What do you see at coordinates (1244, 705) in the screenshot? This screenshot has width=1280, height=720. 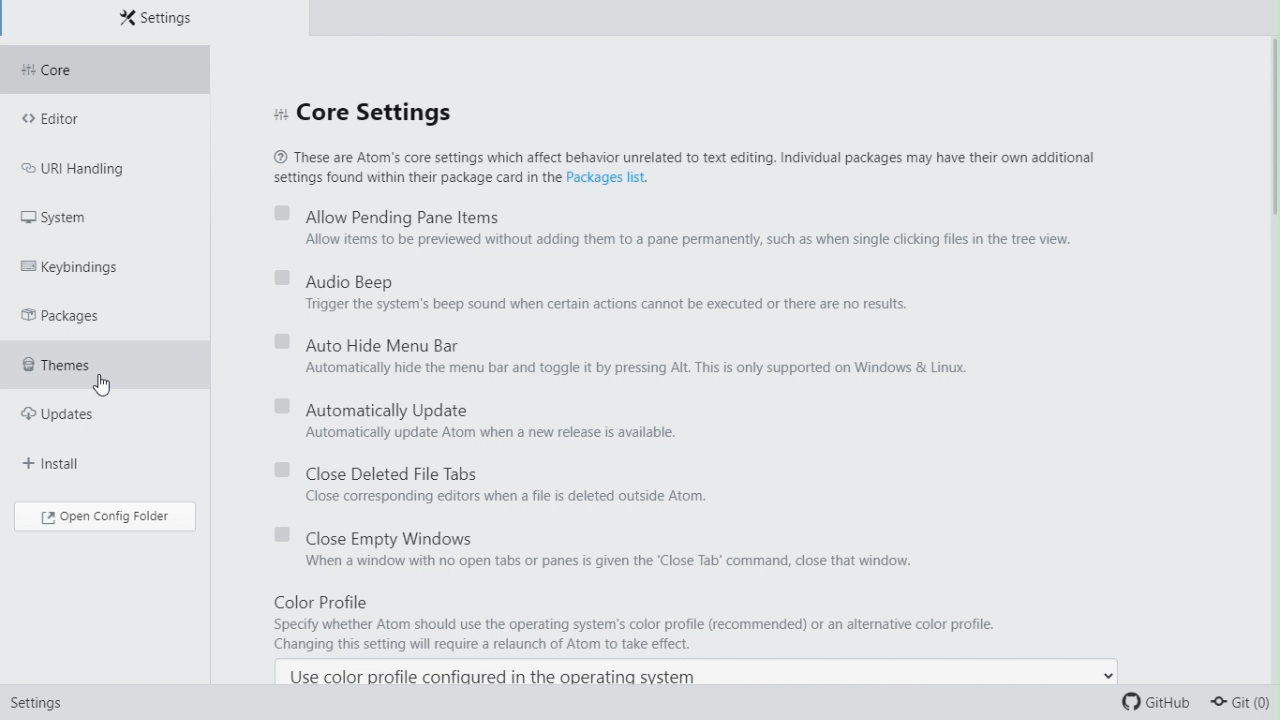 I see `Git` at bounding box center [1244, 705].